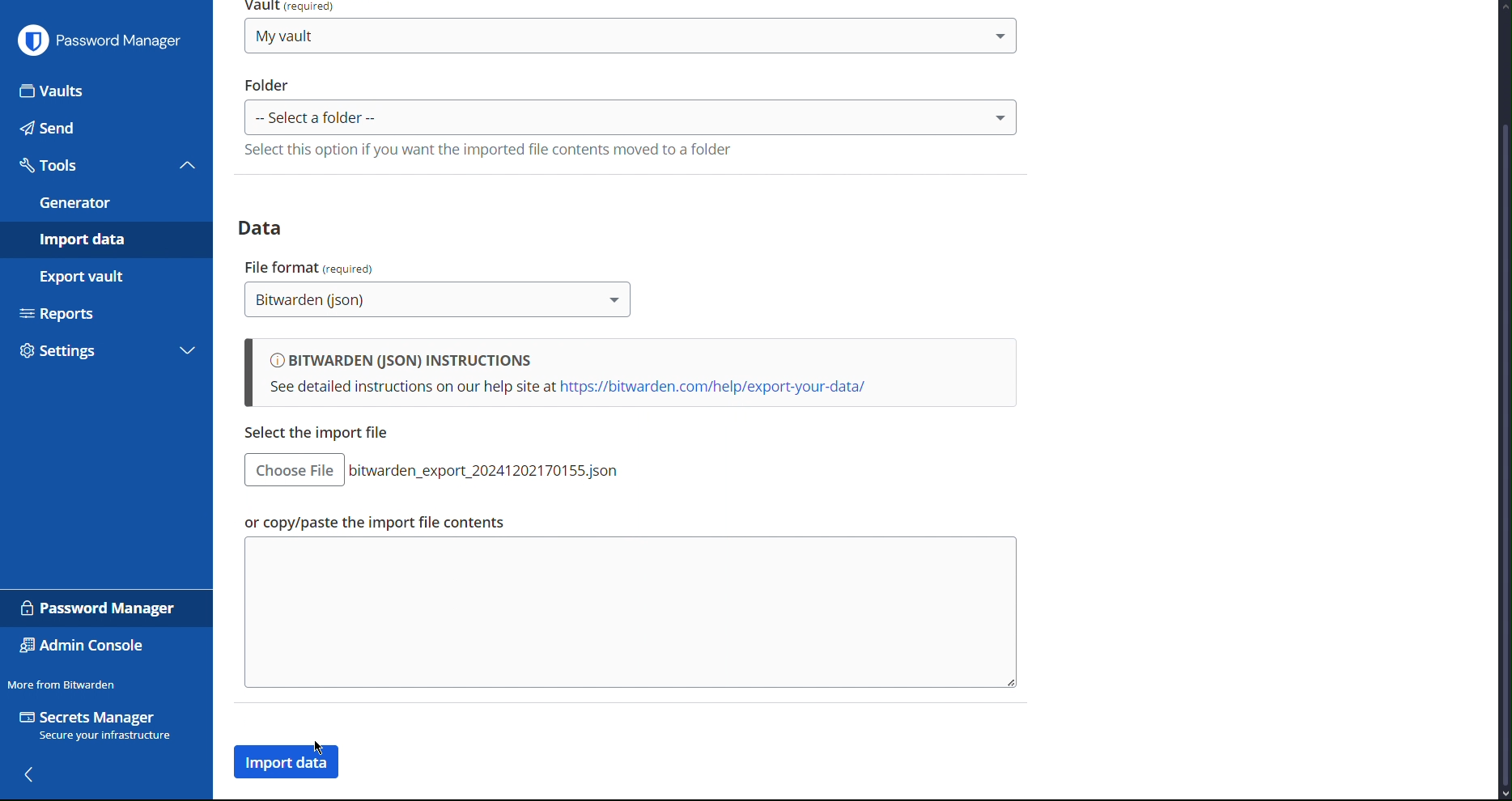  I want to click on Password Manager, so click(100, 39).